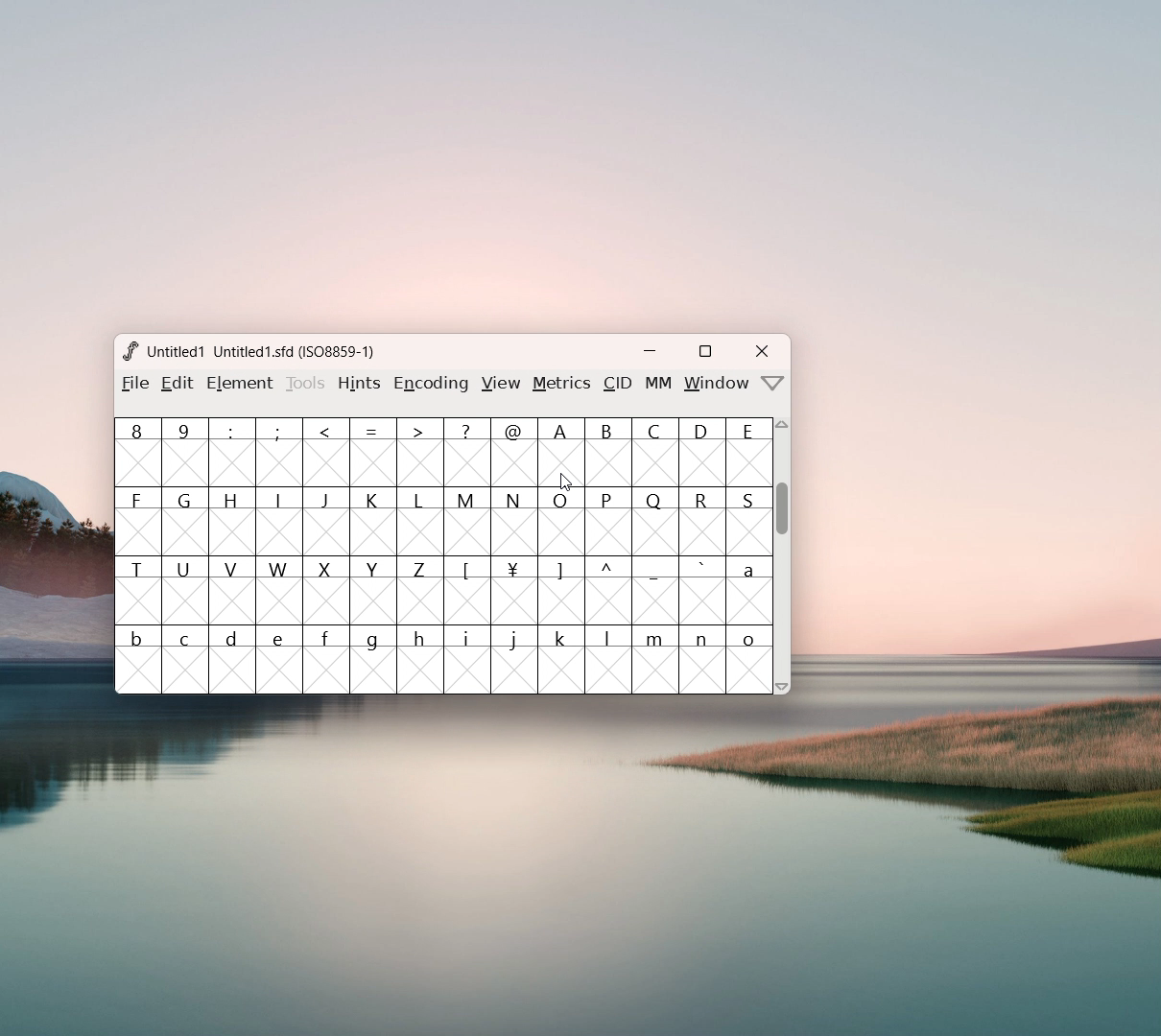 The width and height of the screenshot is (1161, 1036). I want to click on :, so click(233, 452).